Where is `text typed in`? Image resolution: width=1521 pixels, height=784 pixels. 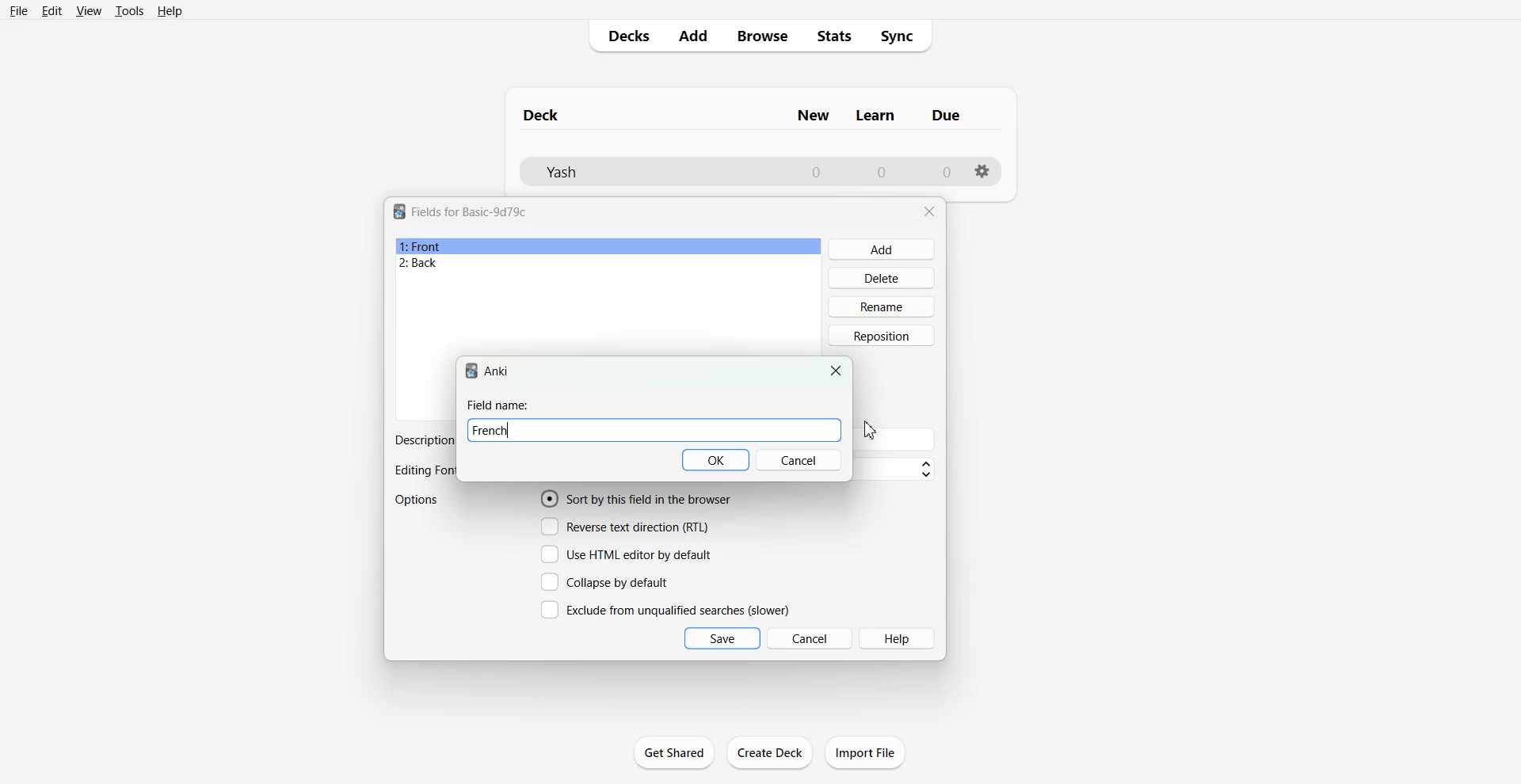
text typed in is located at coordinates (490, 430).